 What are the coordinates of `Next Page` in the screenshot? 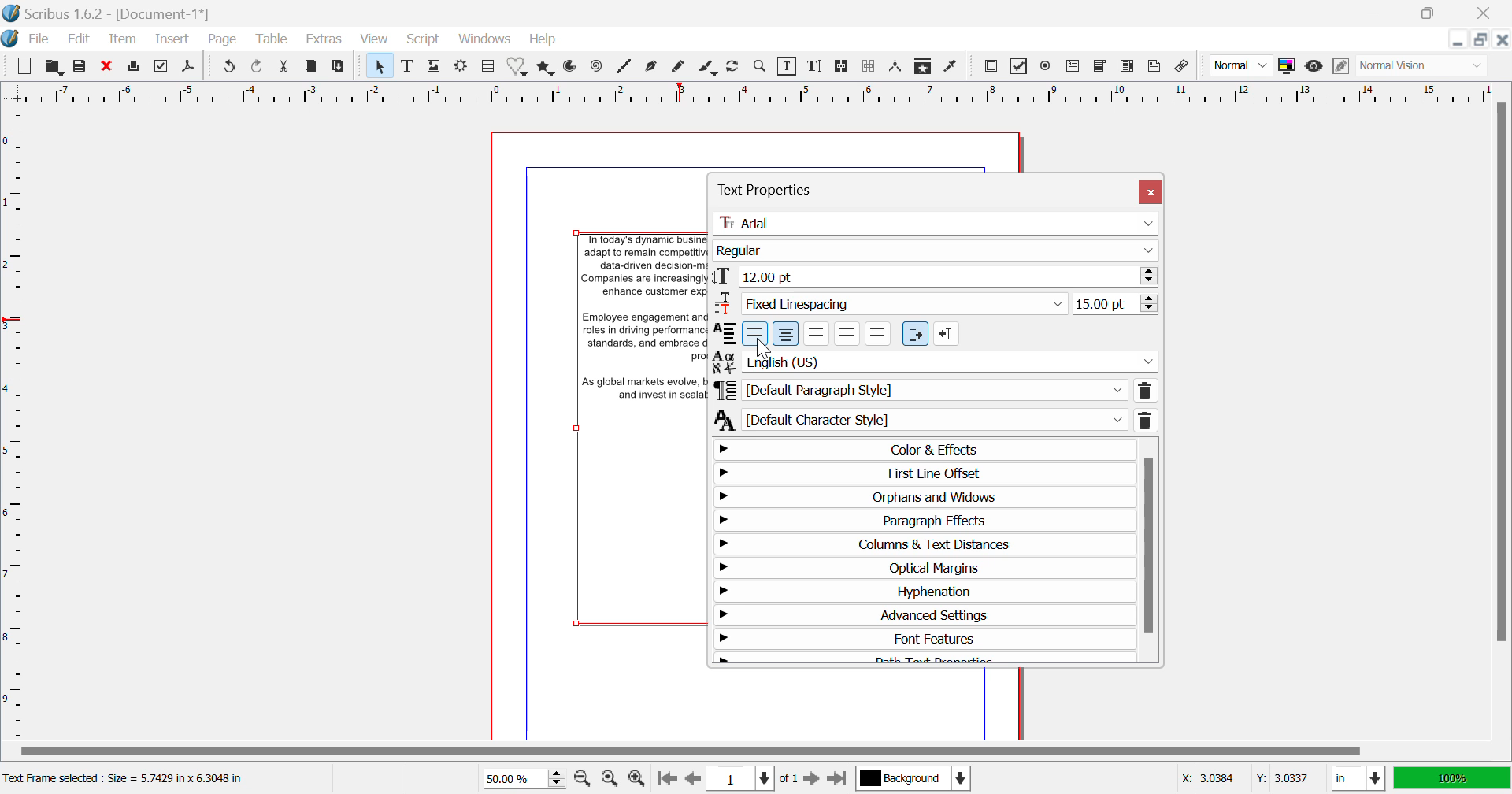 It's located at (813, 779).